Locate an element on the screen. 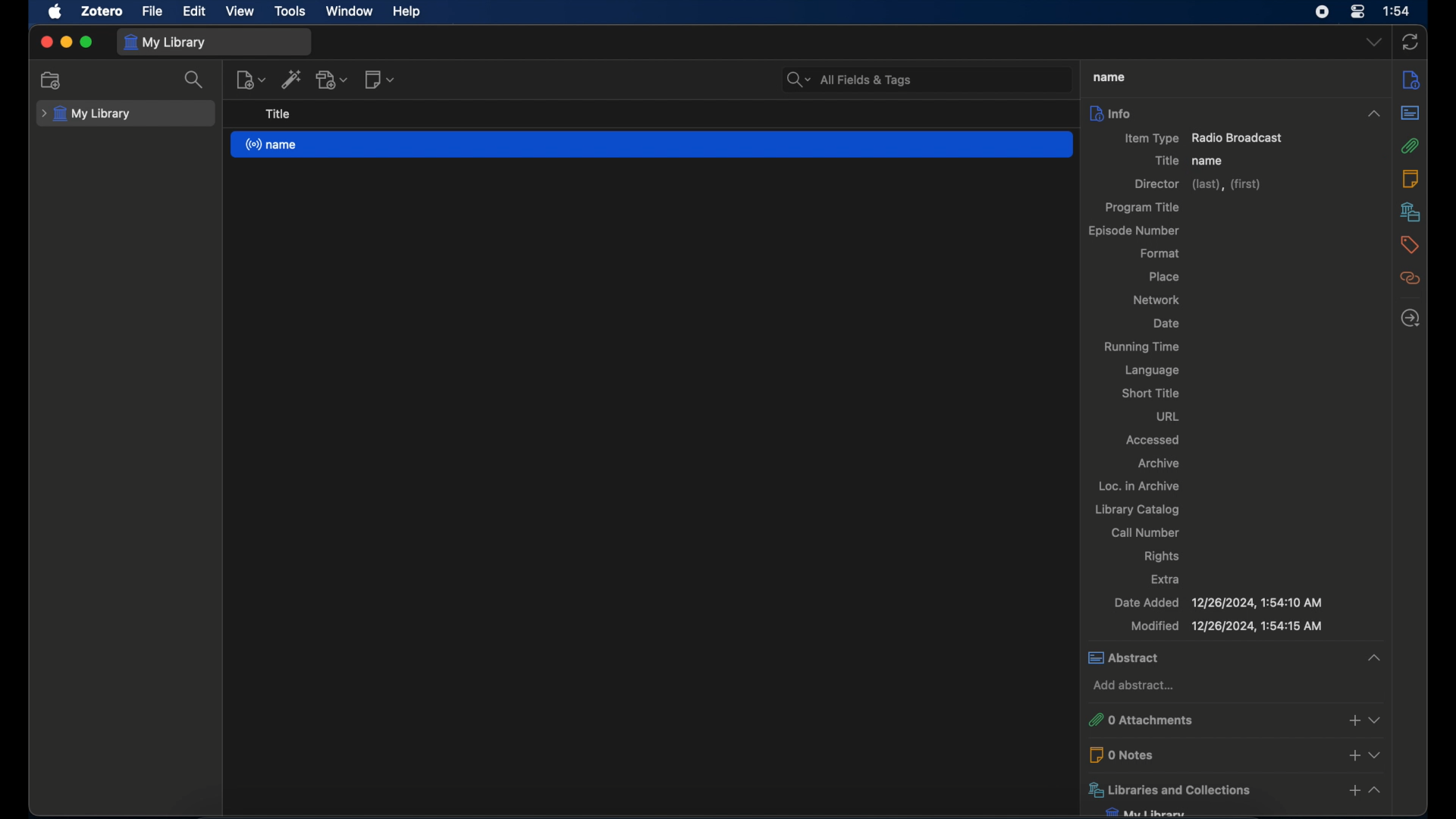 The width and height of the screenshot is (1456, 819). name is located at coordinates (652, 143).